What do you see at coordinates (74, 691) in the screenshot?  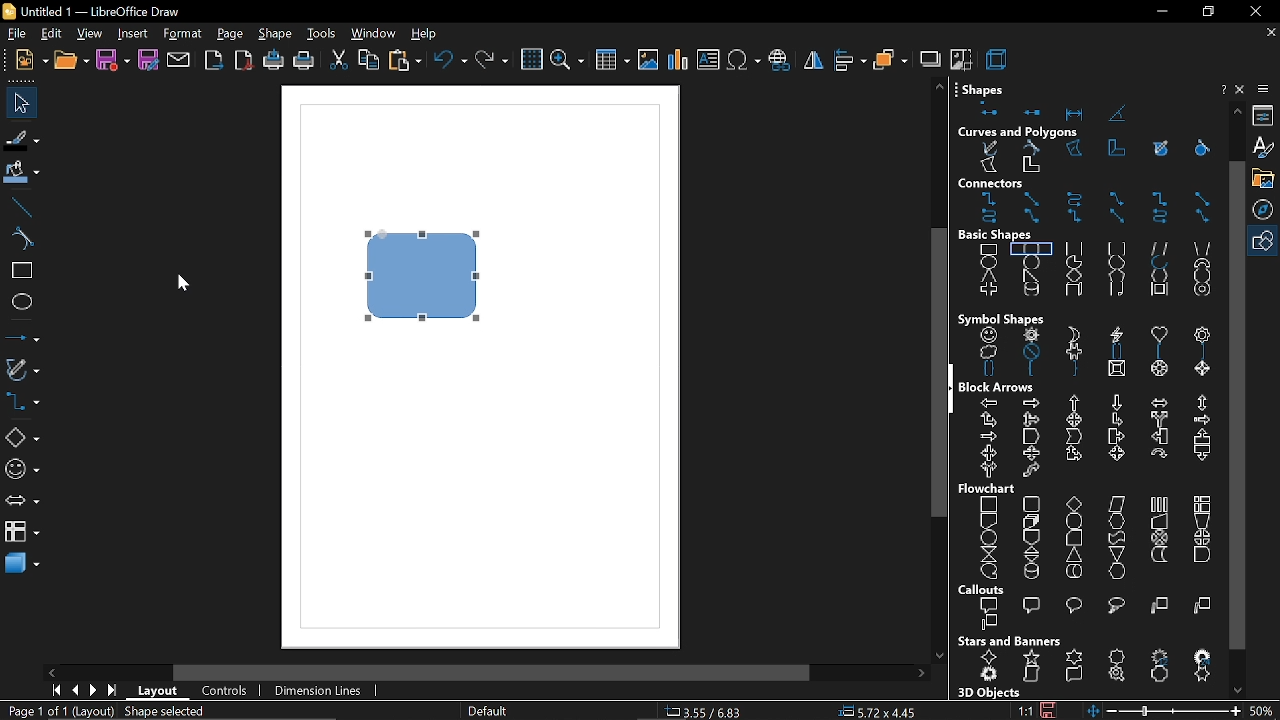 I see `previous page` at bounding box center [74, 691].